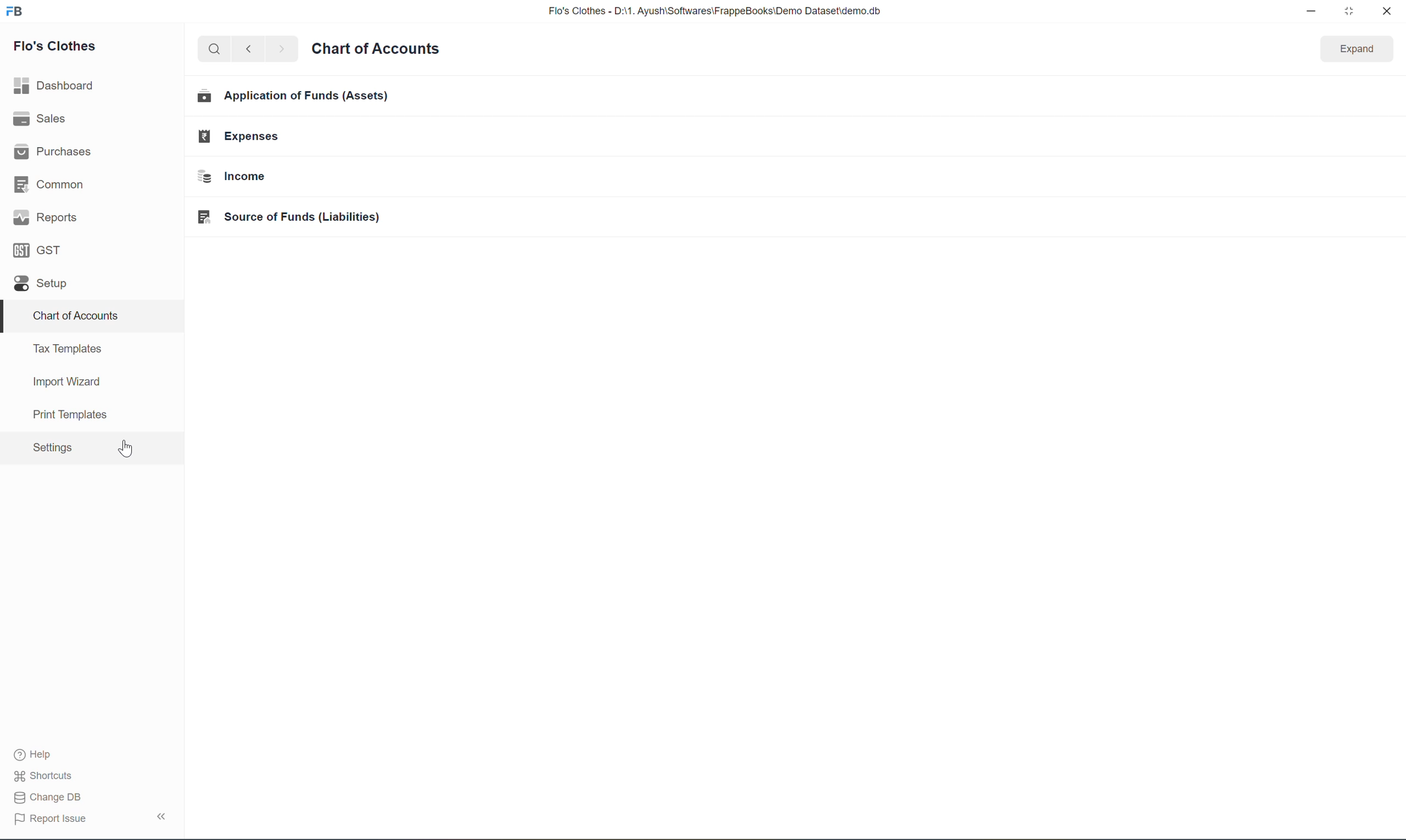 This screenshot has width=1406, height=840. What do you see at coordinates (1311, 11) in the screenshot?
I see `minimize` at bounding box center [1311, 11].